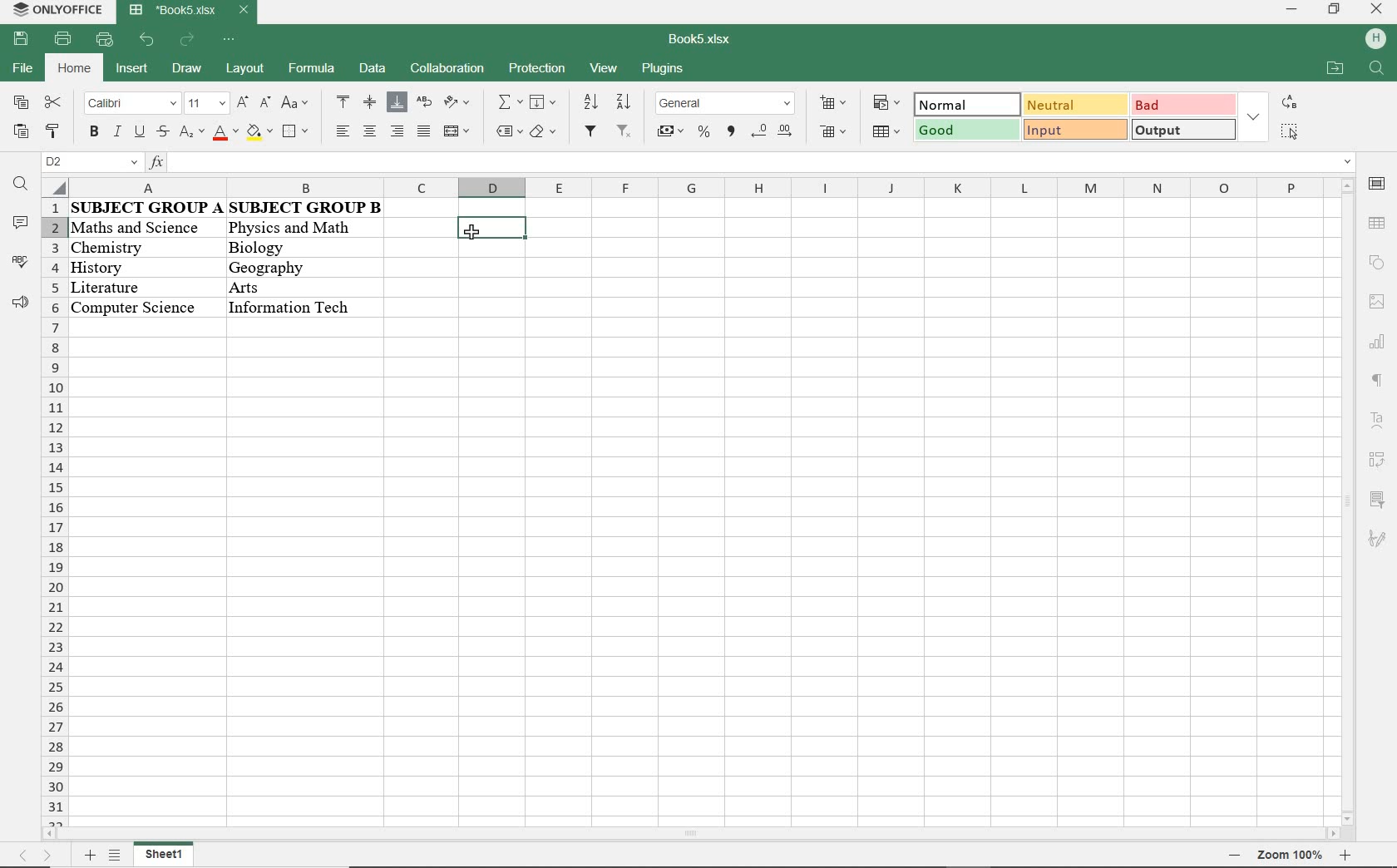 The image size is (1397, 868). Describe the element at coordinates (104, 40) in the screenshot. I see `customize quick access toolbar` at that location.